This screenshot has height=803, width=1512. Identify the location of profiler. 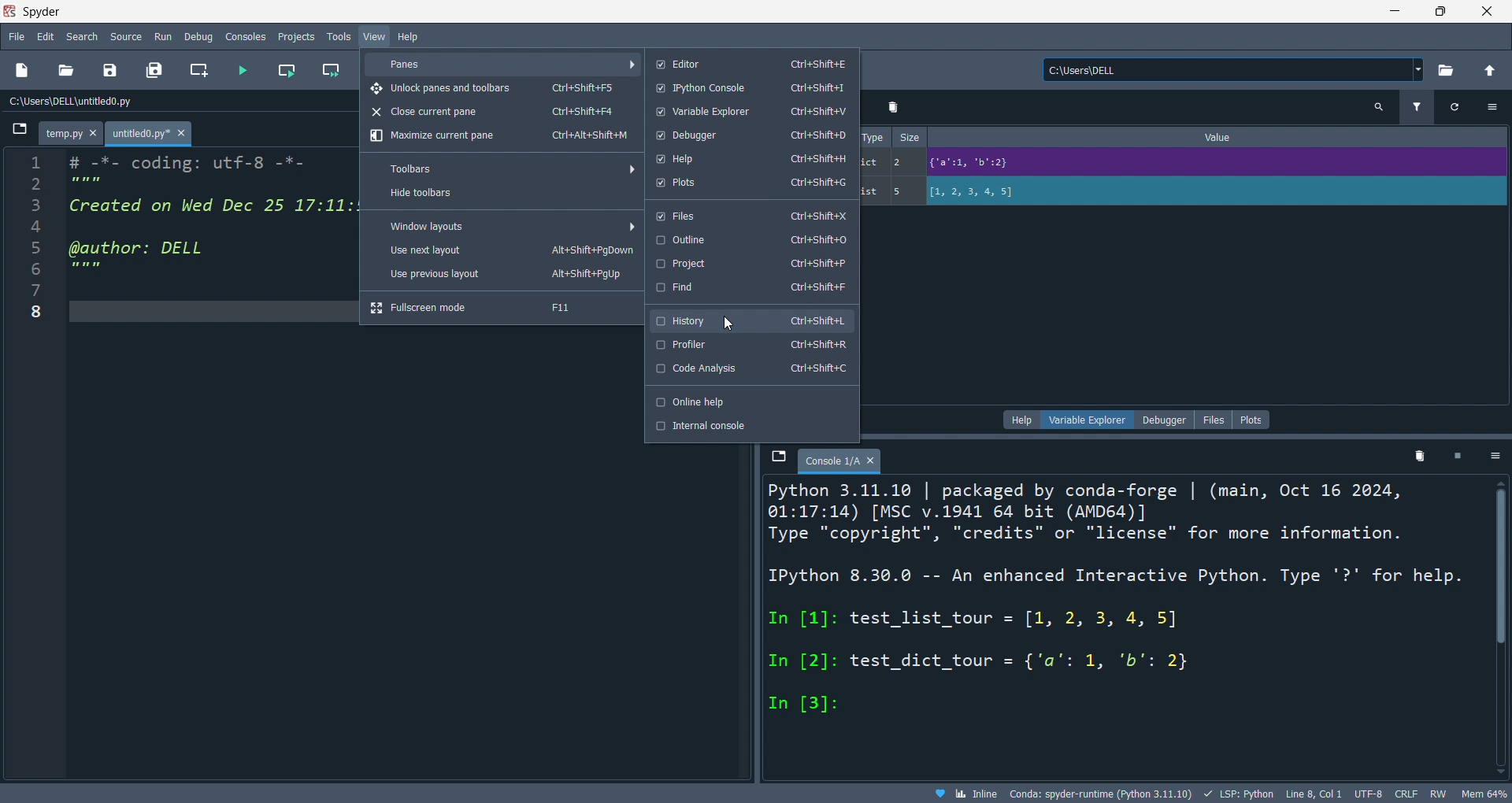
(752, 345).